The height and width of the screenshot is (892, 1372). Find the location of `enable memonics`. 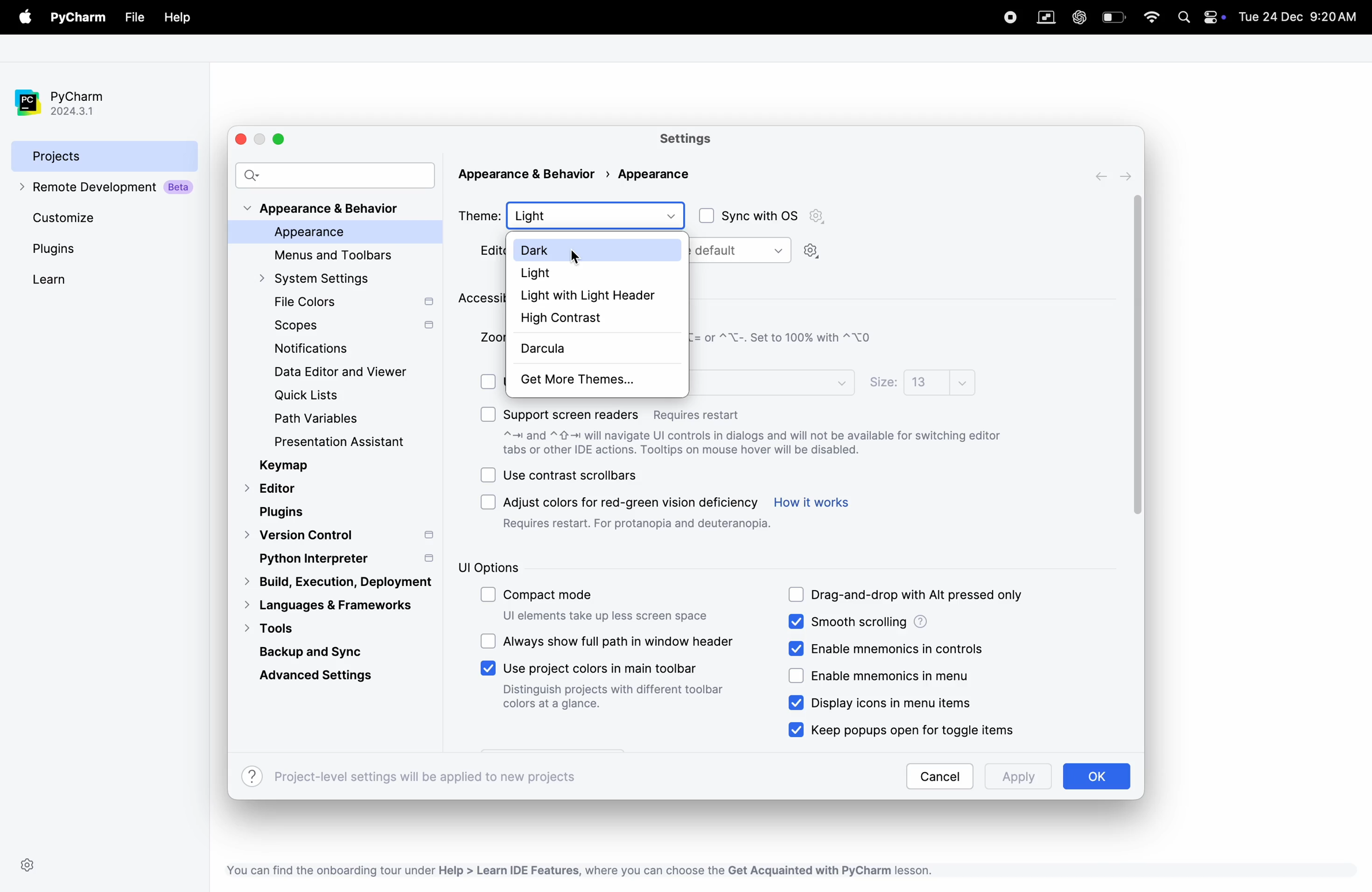

enable memonics is located at coordinates (898, 647).